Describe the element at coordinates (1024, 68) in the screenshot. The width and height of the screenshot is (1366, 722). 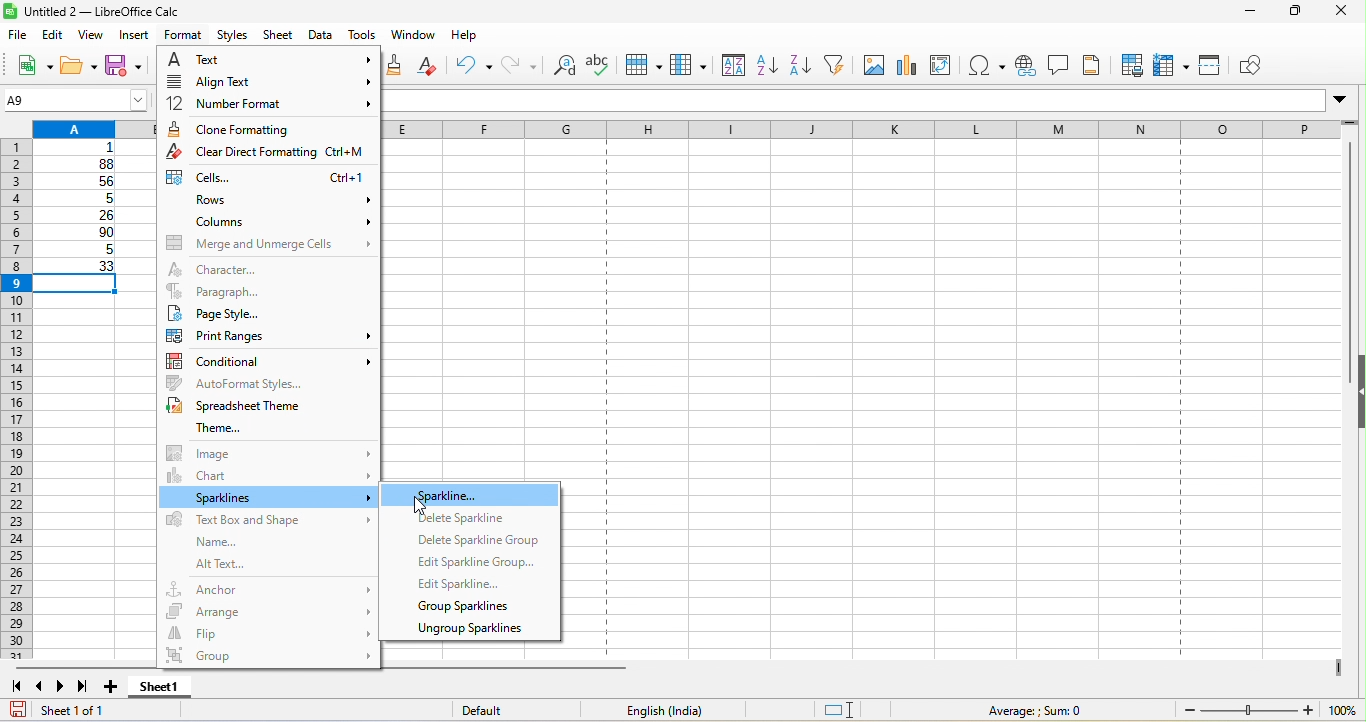
I see `hyperlink` at that location.